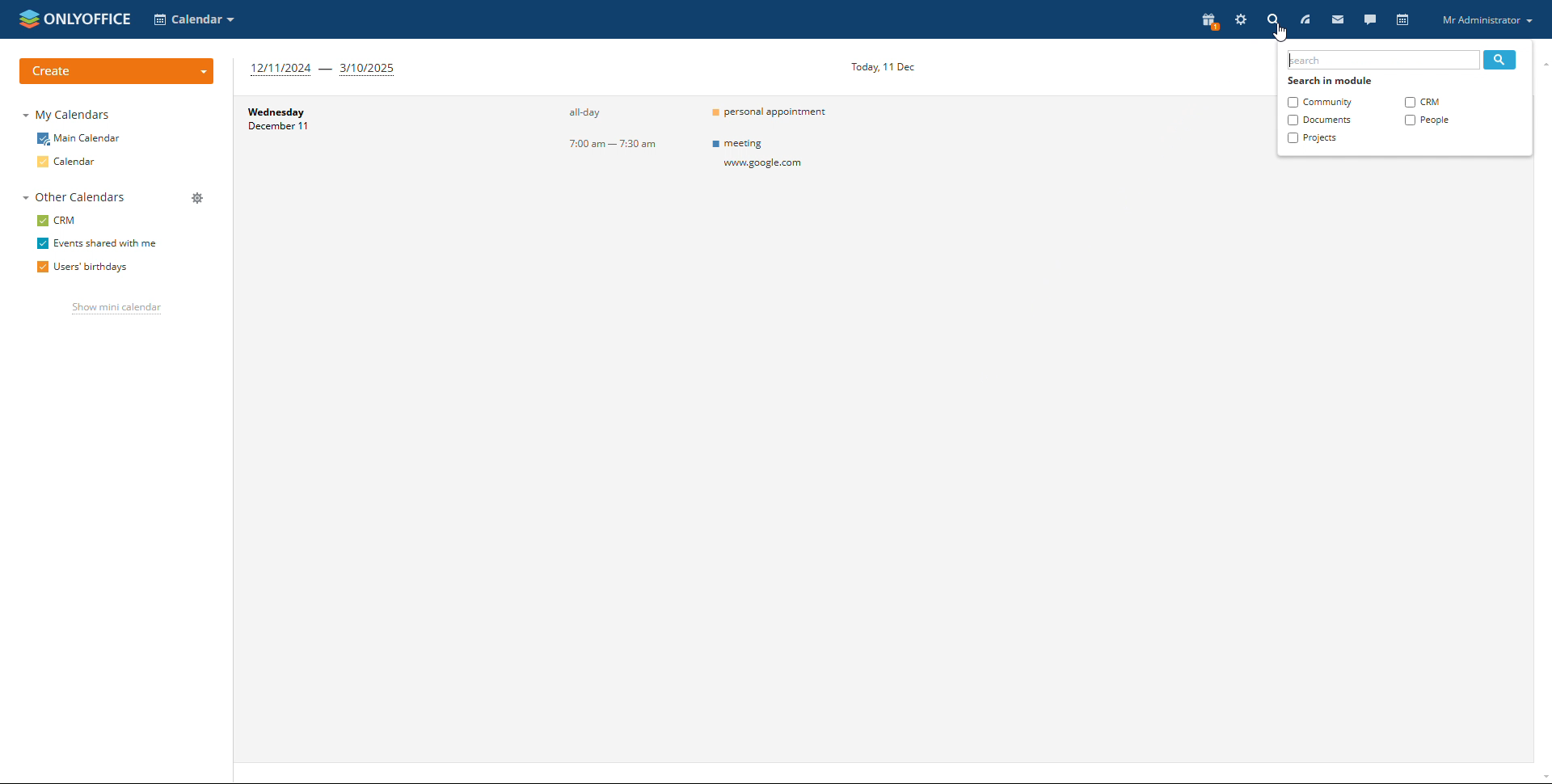 Image resolution: width=1552 pixels, height=784 pixels. I want to click on show mini calendar, so click(118, 308).